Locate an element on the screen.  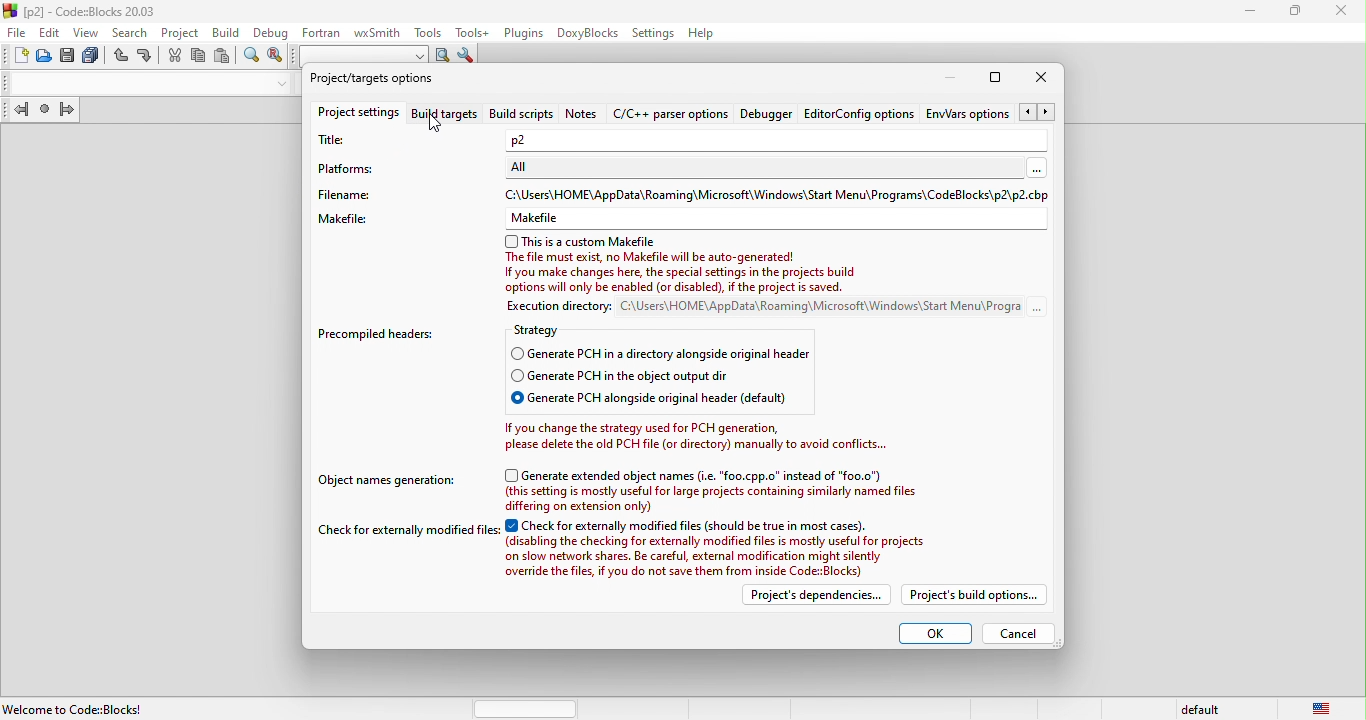
execution directory is located at coordinates (773, 308).